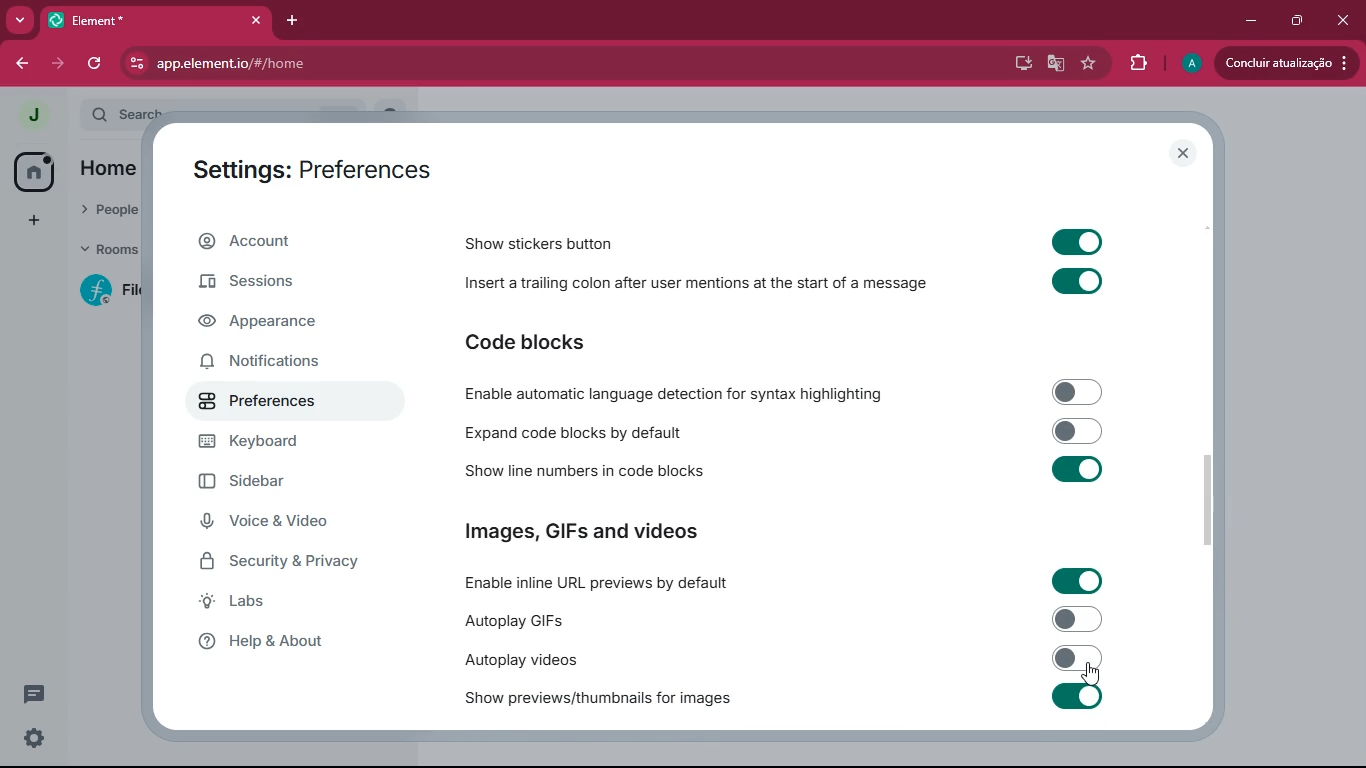 This screenshot has width=1366, height=768. What do you see at coordinates (34, 693) in the screenshot?
I see `message` at bounding box center [34, 693].